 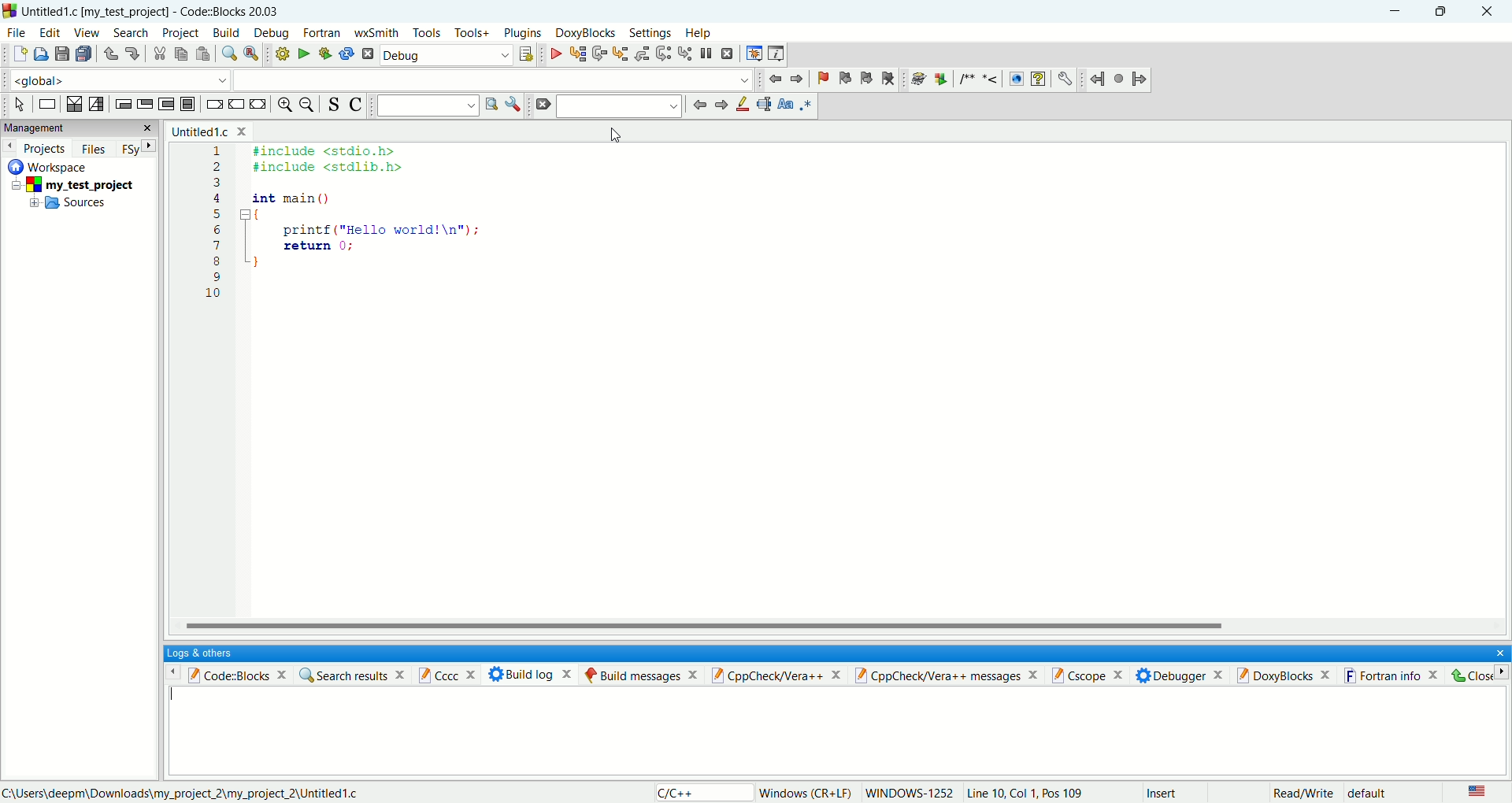 What do you see at coordinates (891, 81) in the screenshot?
I see `clear bookmark` at bounding box center [891, 81].